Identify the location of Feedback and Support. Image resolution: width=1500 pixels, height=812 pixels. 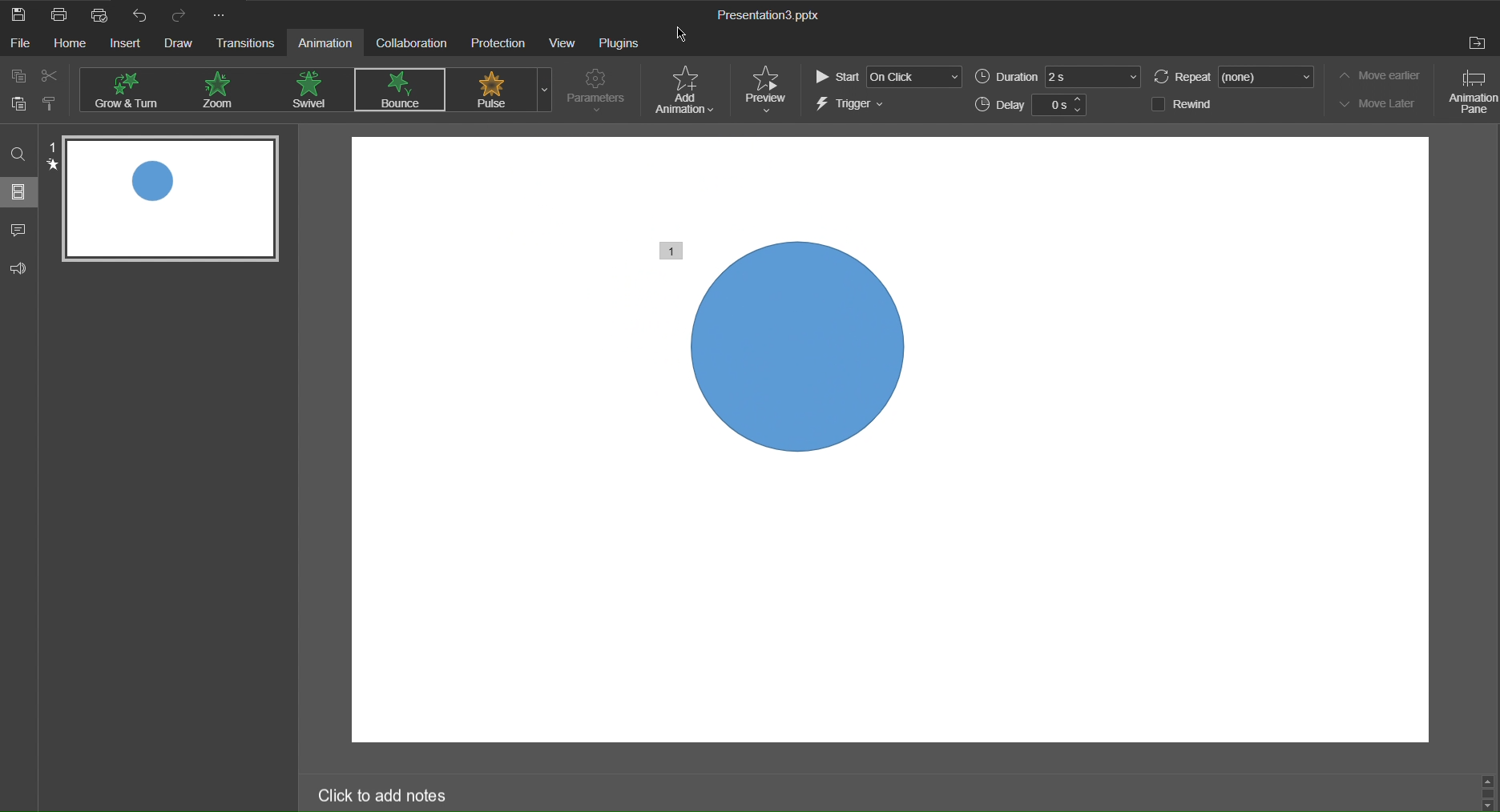
(18, 265).